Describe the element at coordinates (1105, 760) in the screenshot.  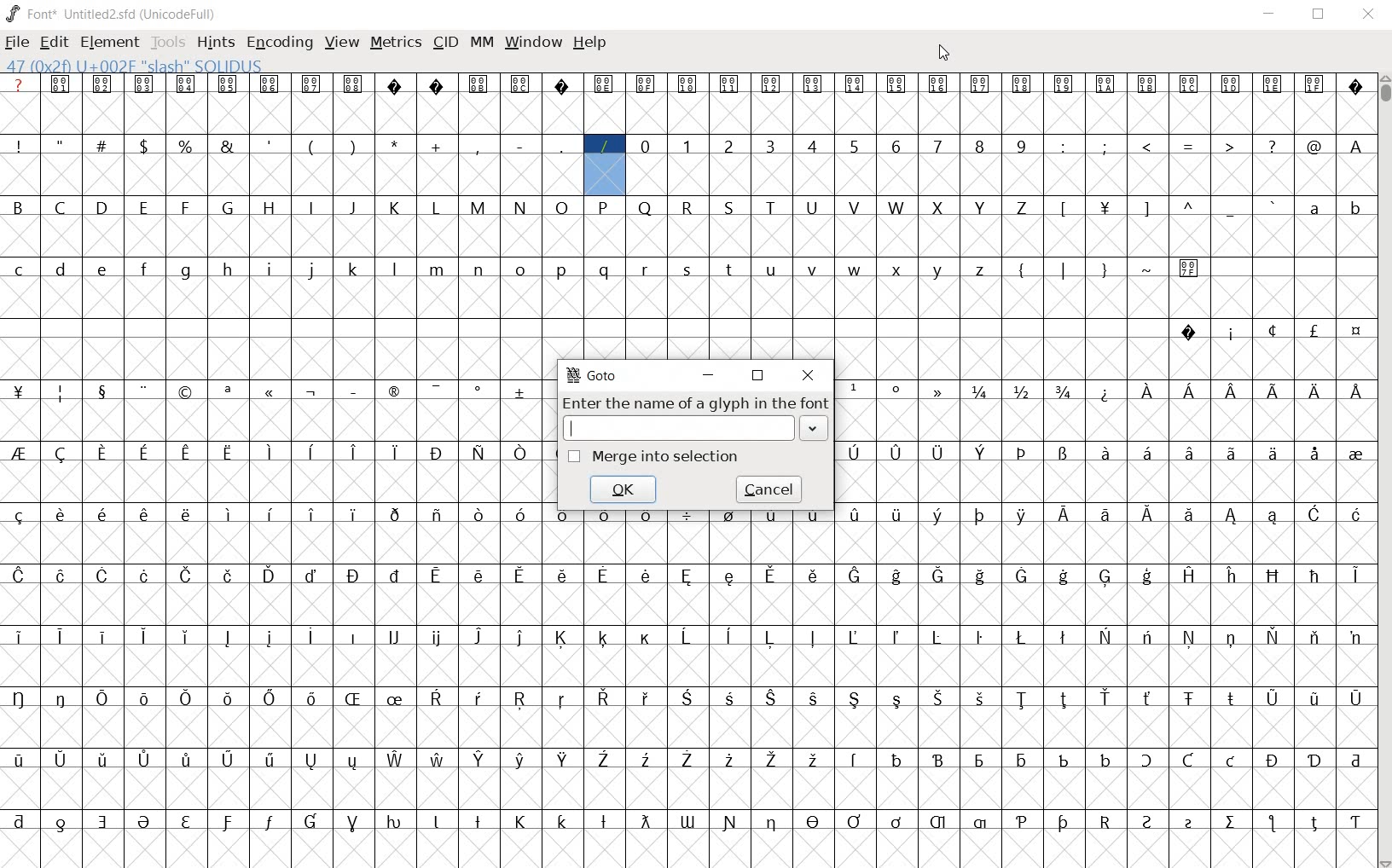
I see `glyph` at that location.